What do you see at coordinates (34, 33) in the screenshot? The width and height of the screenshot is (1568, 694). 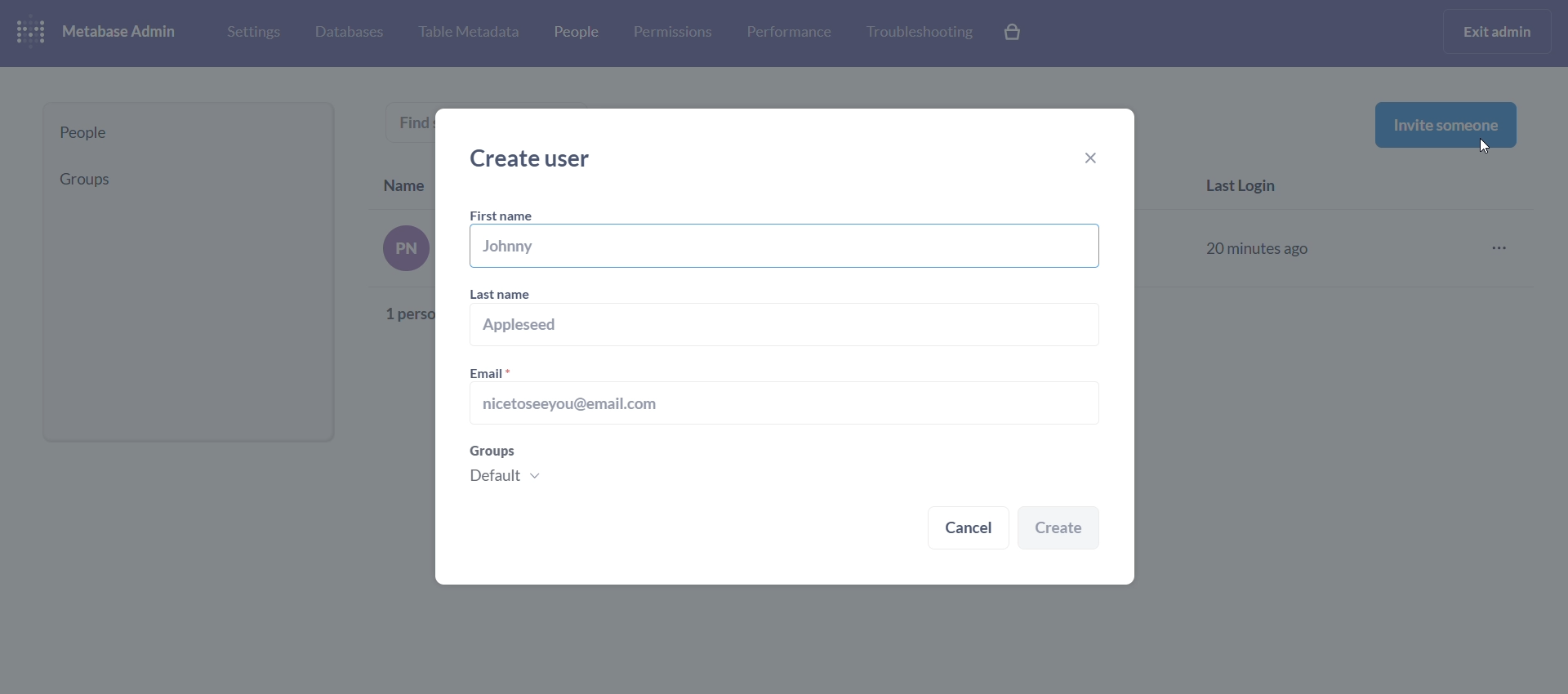 I see `logo` at bounding box center [34, 33].